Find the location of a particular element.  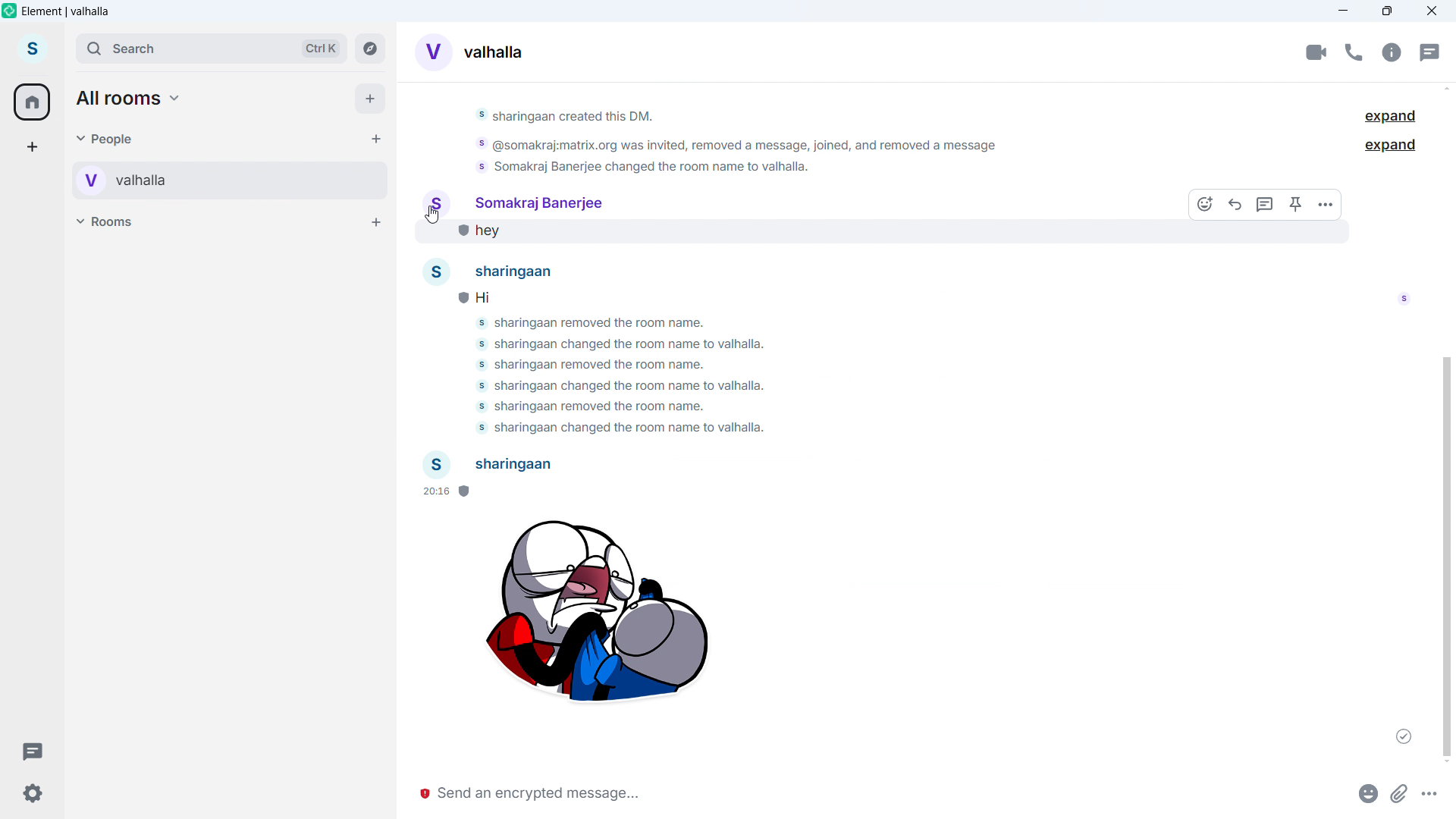

account is located at coordinates (33, 50).